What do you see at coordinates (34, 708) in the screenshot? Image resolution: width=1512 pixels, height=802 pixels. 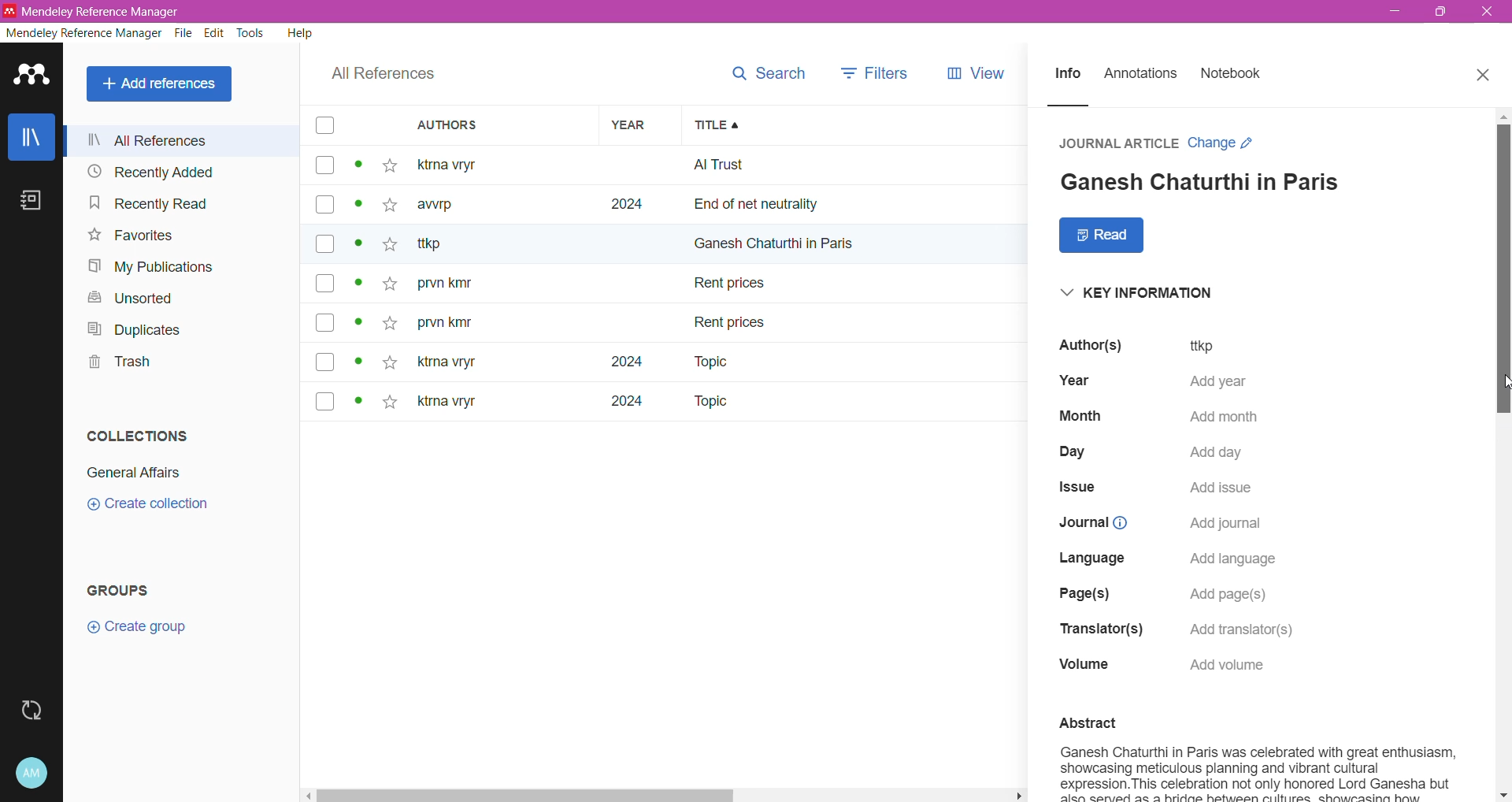 I see `Last Sync` at bounding box center [34, 708].